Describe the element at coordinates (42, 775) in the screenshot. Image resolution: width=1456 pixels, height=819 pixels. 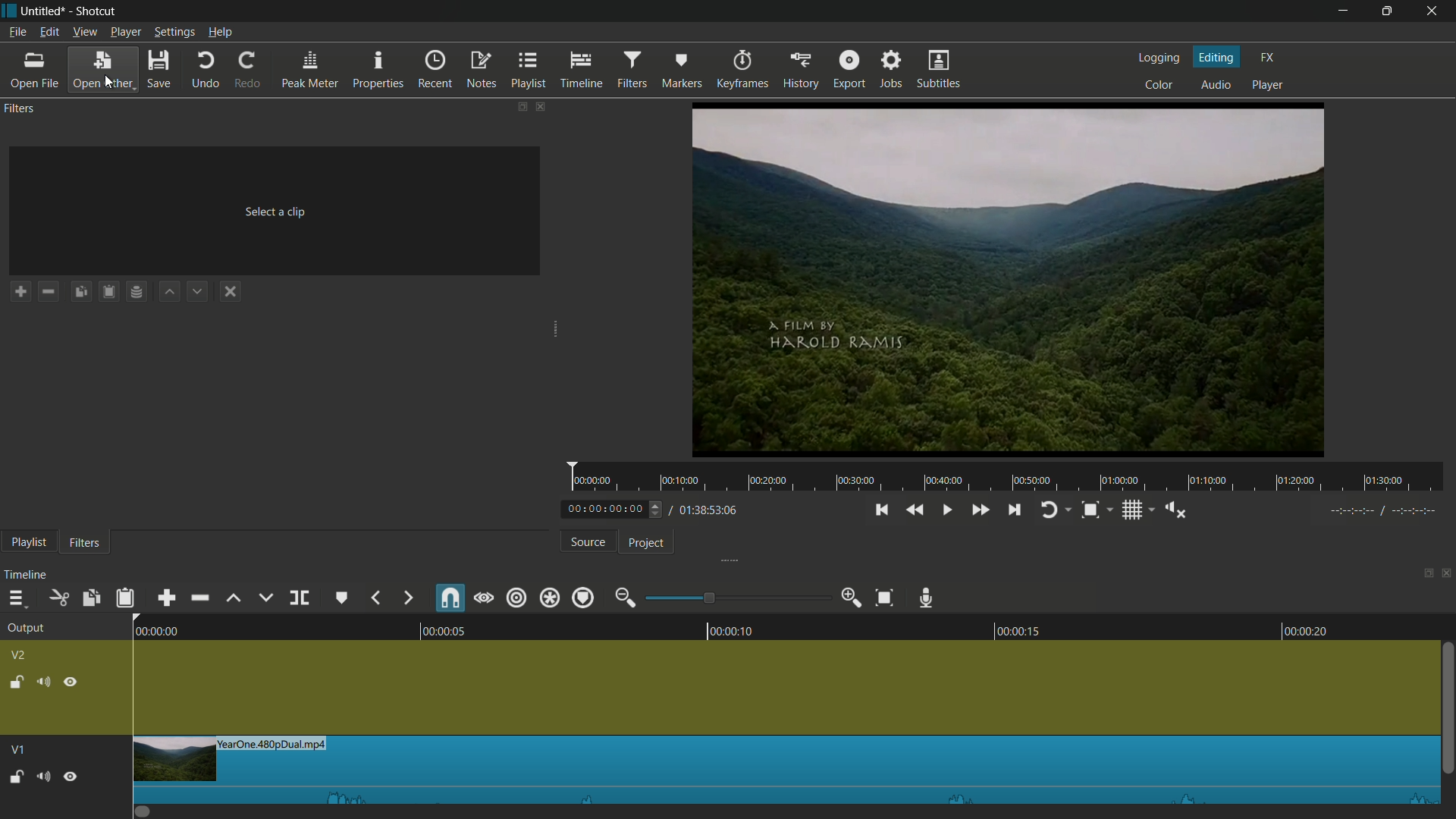
I see `Volume` at that location.